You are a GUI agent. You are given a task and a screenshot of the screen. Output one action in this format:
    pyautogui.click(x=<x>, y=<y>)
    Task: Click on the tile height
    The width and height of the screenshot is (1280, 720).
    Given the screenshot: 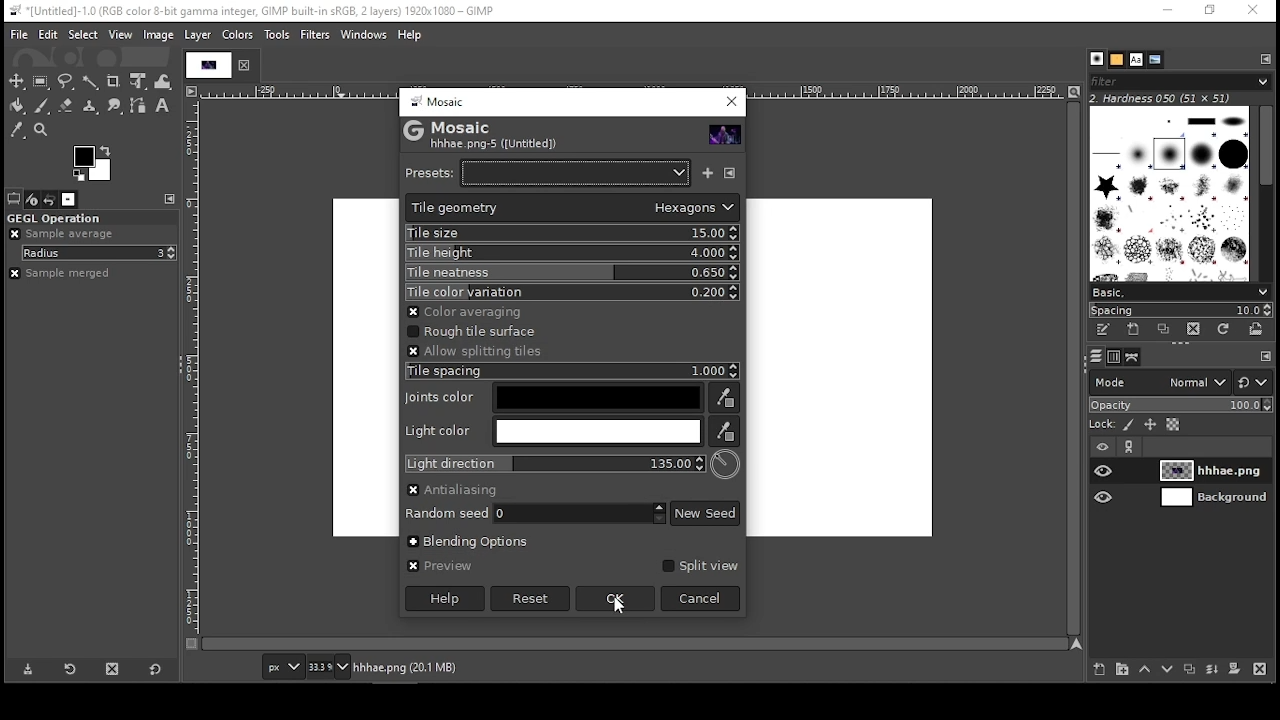 What is the action you would take?
    pyautogui.click(x=572, y=252)
    